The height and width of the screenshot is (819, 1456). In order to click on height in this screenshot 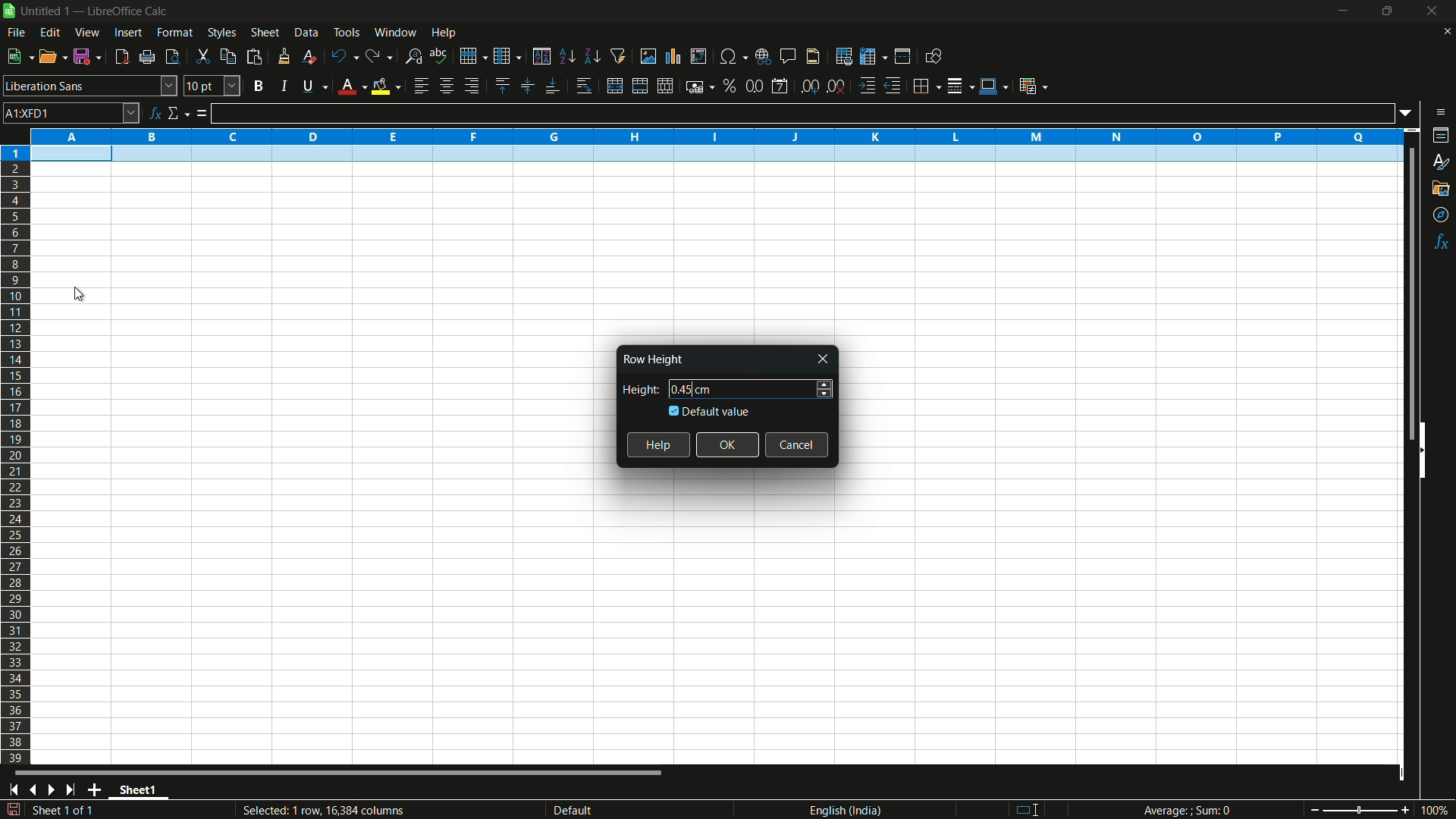, I will do `click(637, 390)`.